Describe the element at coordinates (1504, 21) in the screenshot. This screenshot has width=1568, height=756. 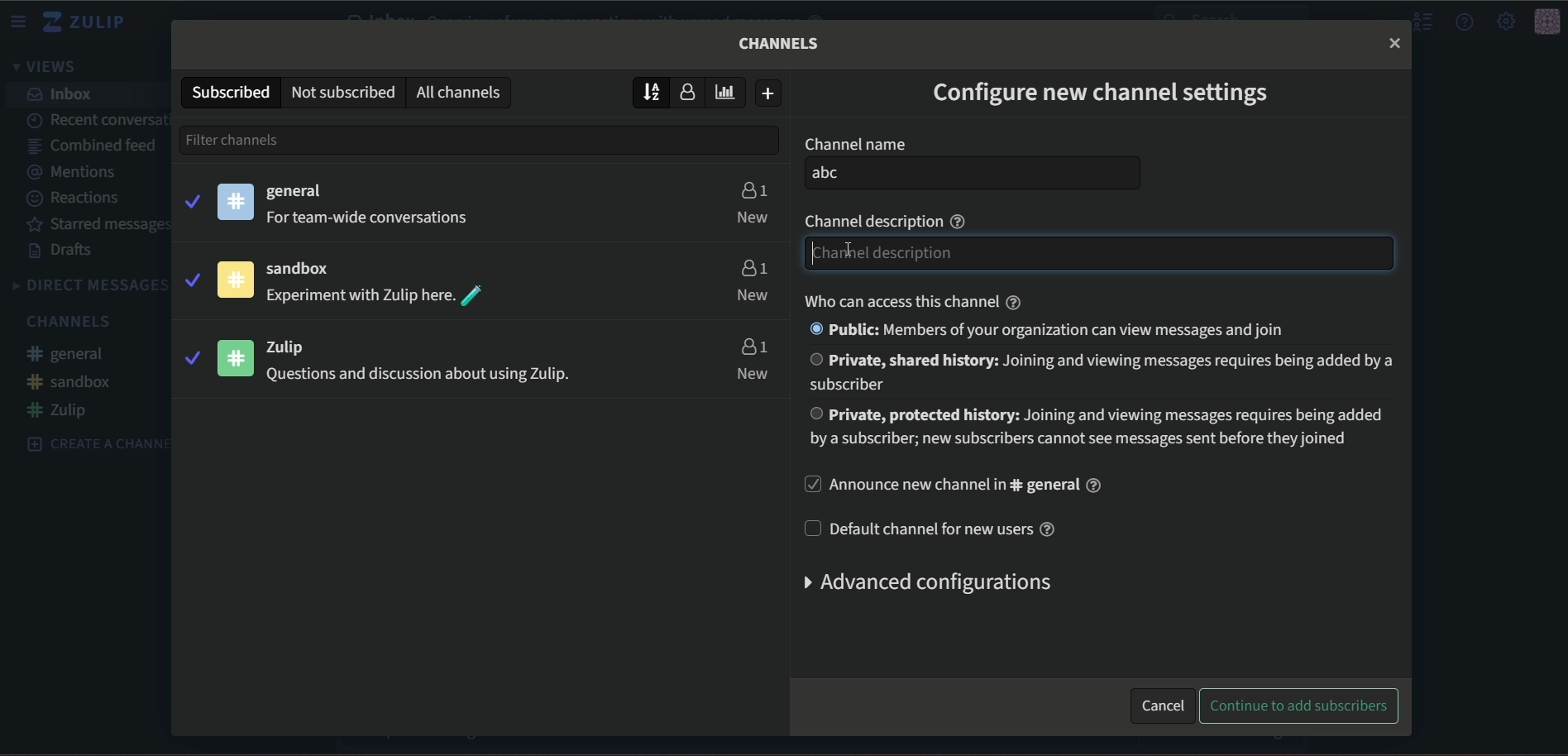
I see `main menu` at that location.